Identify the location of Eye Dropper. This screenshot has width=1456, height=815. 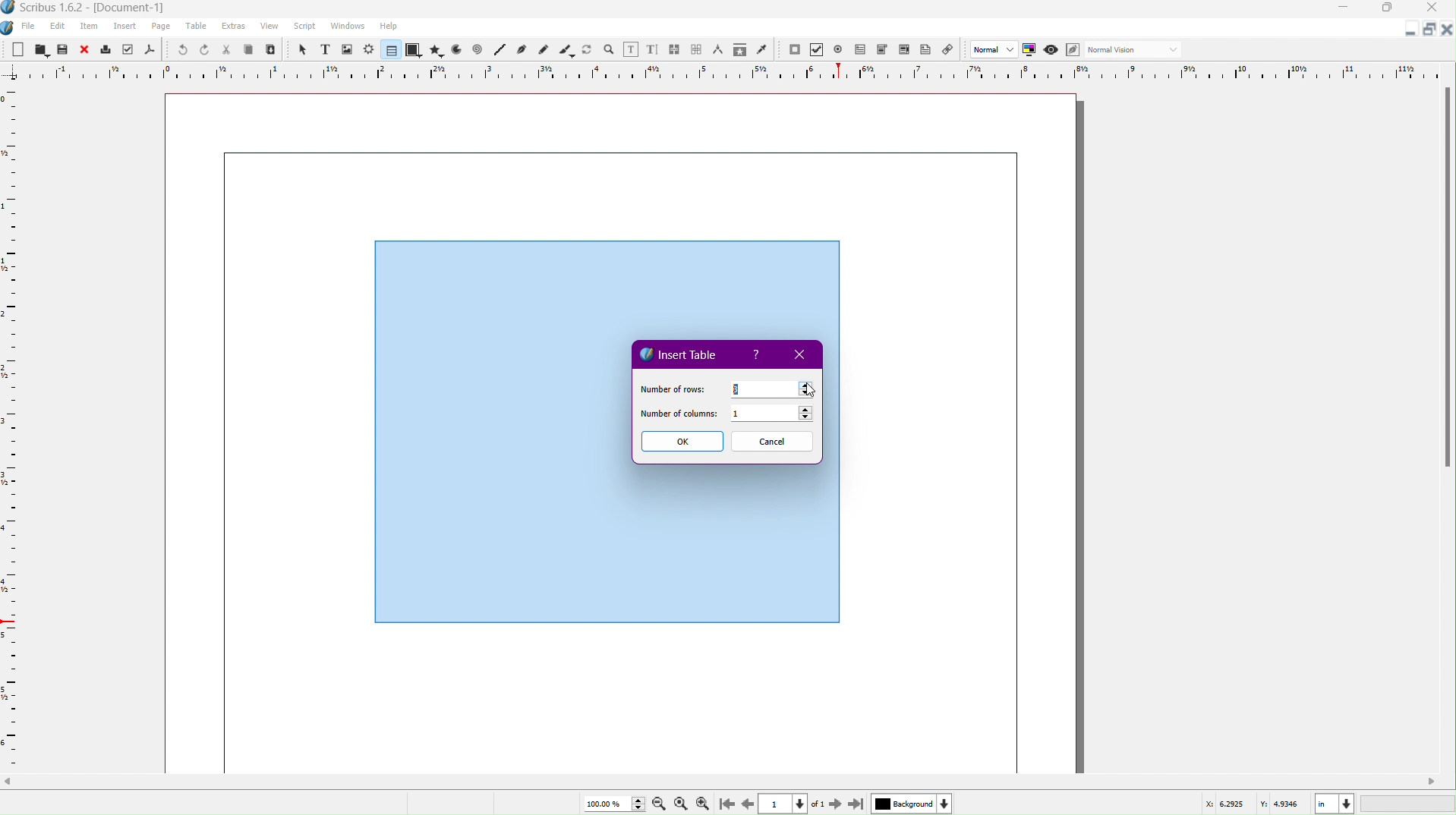
(761, 49).